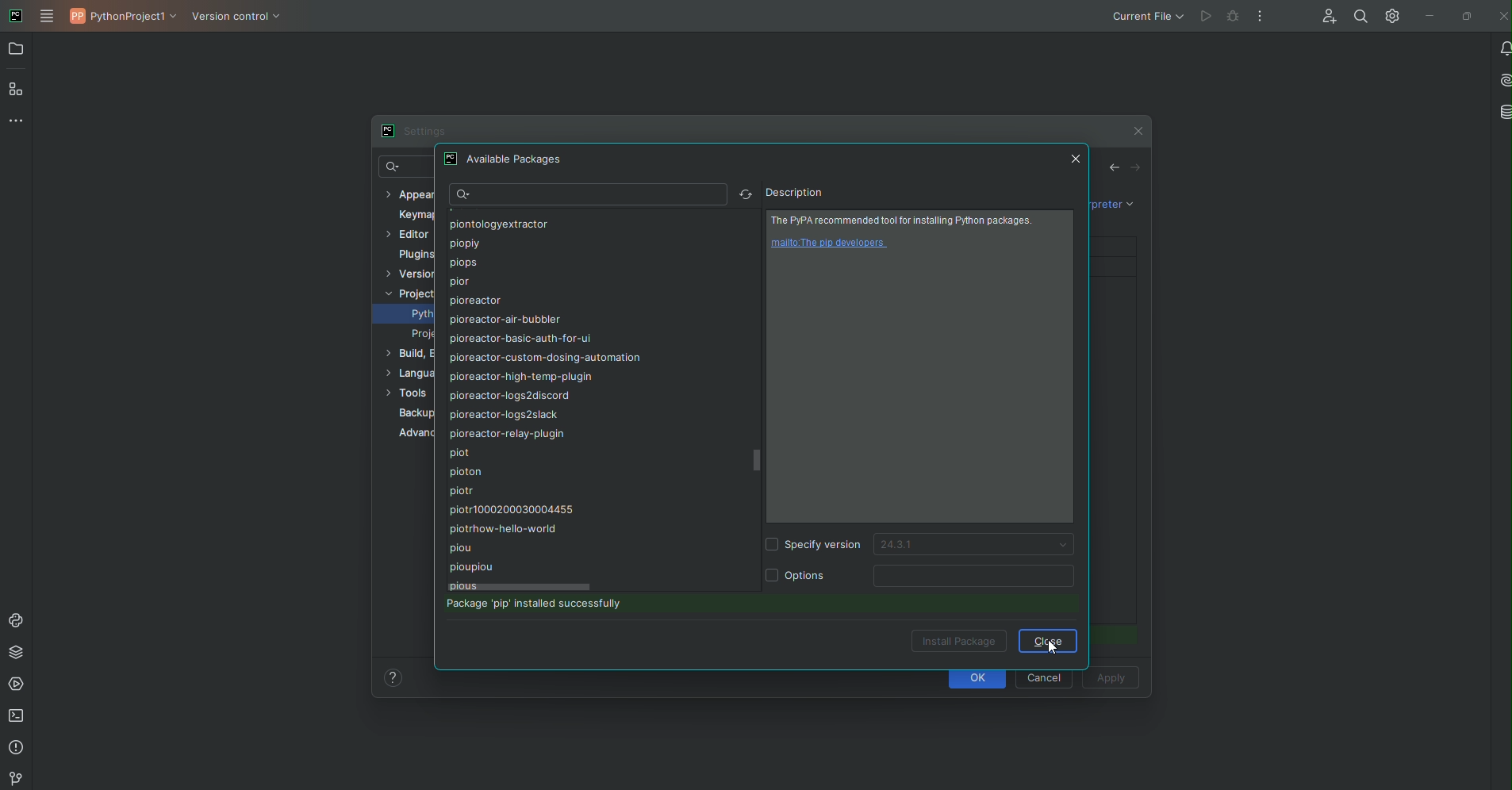 Image resolution: width=1512 pixels, height=790 pixels. Describe the element at coordinates (402, 169) in the screenshot. I see `Search` at that location.